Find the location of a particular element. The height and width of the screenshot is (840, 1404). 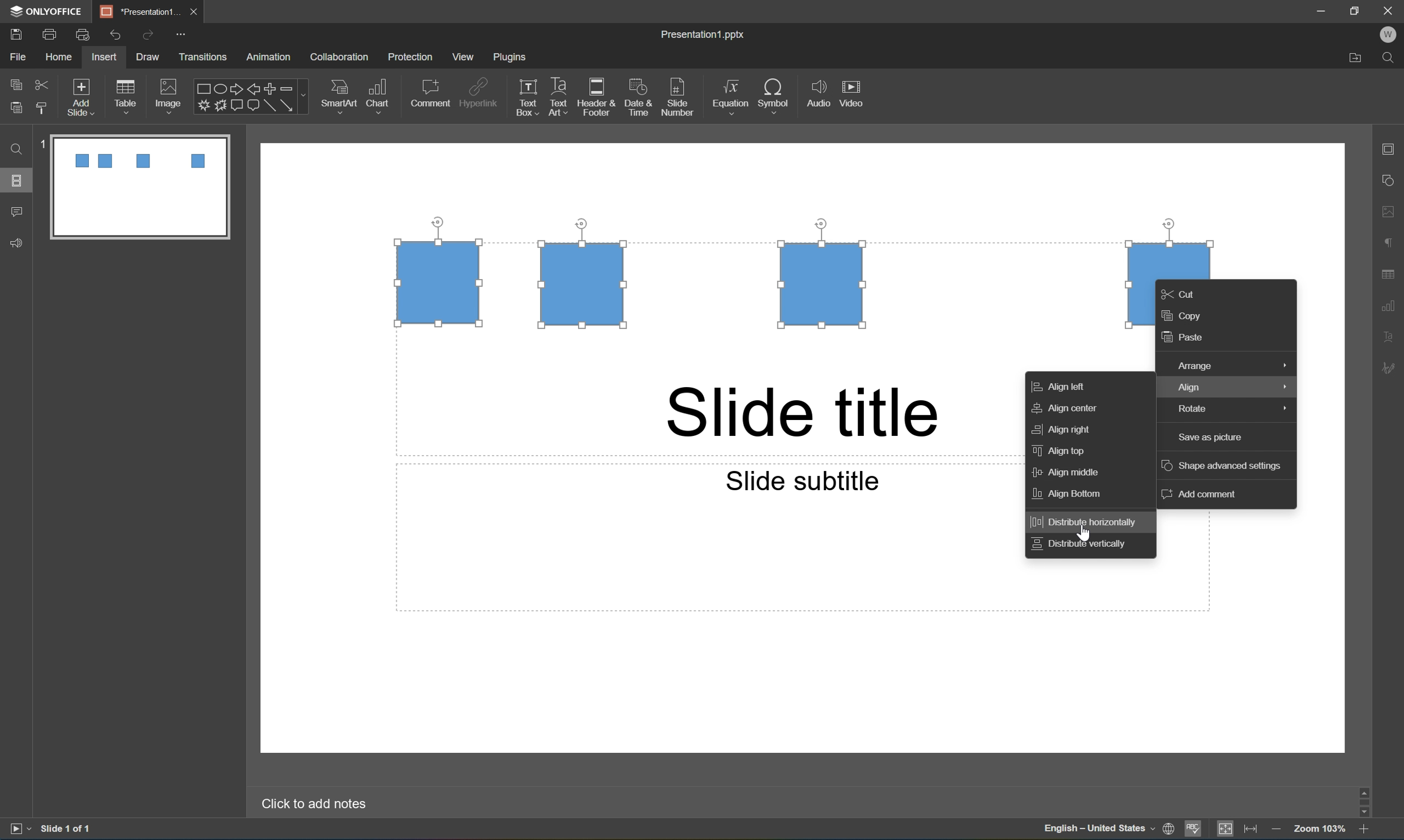

*Presentation1... is located at coordinates (142, 10).